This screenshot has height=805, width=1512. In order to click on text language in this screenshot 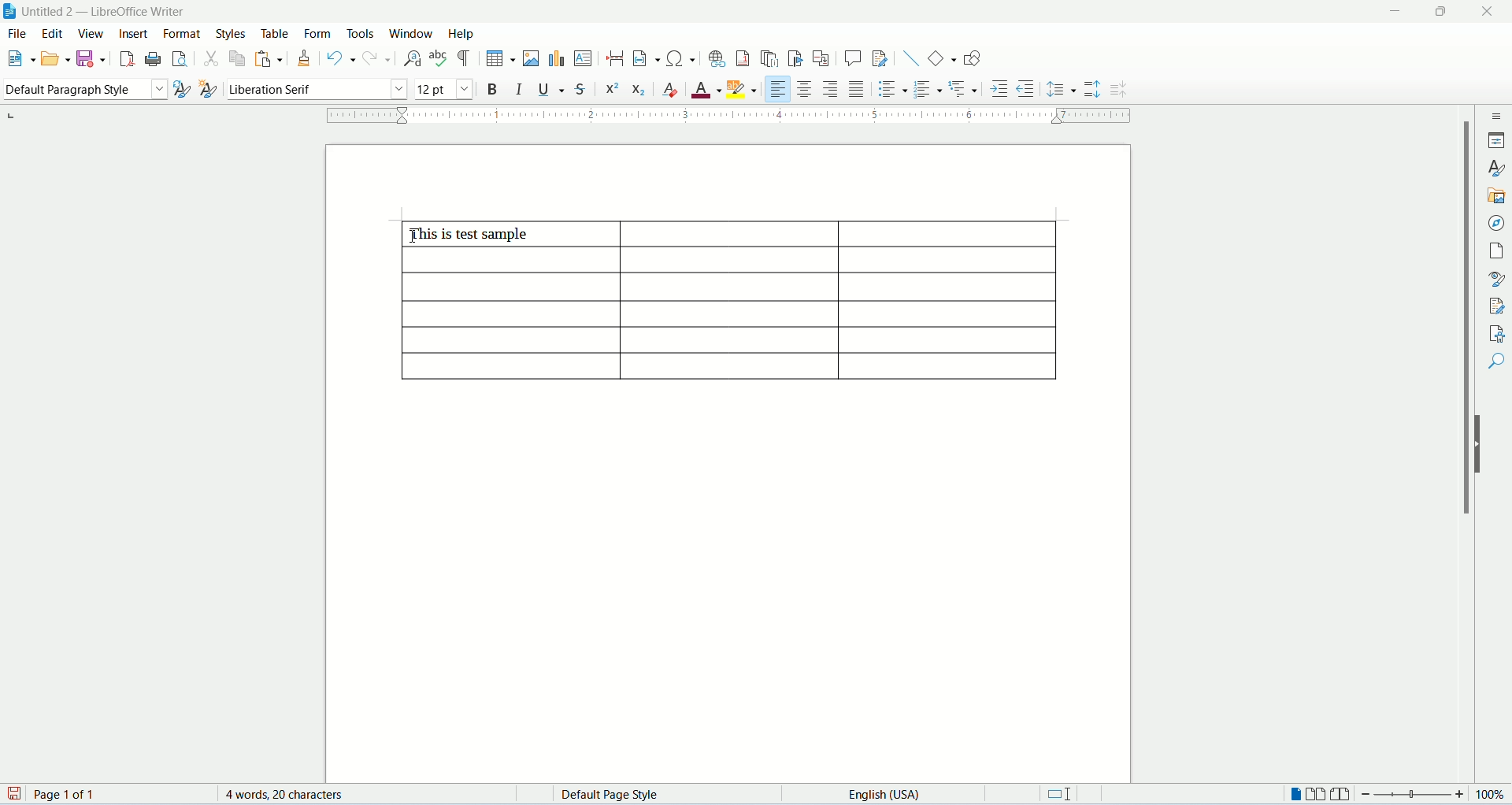, I will do `click(891, 795)`.